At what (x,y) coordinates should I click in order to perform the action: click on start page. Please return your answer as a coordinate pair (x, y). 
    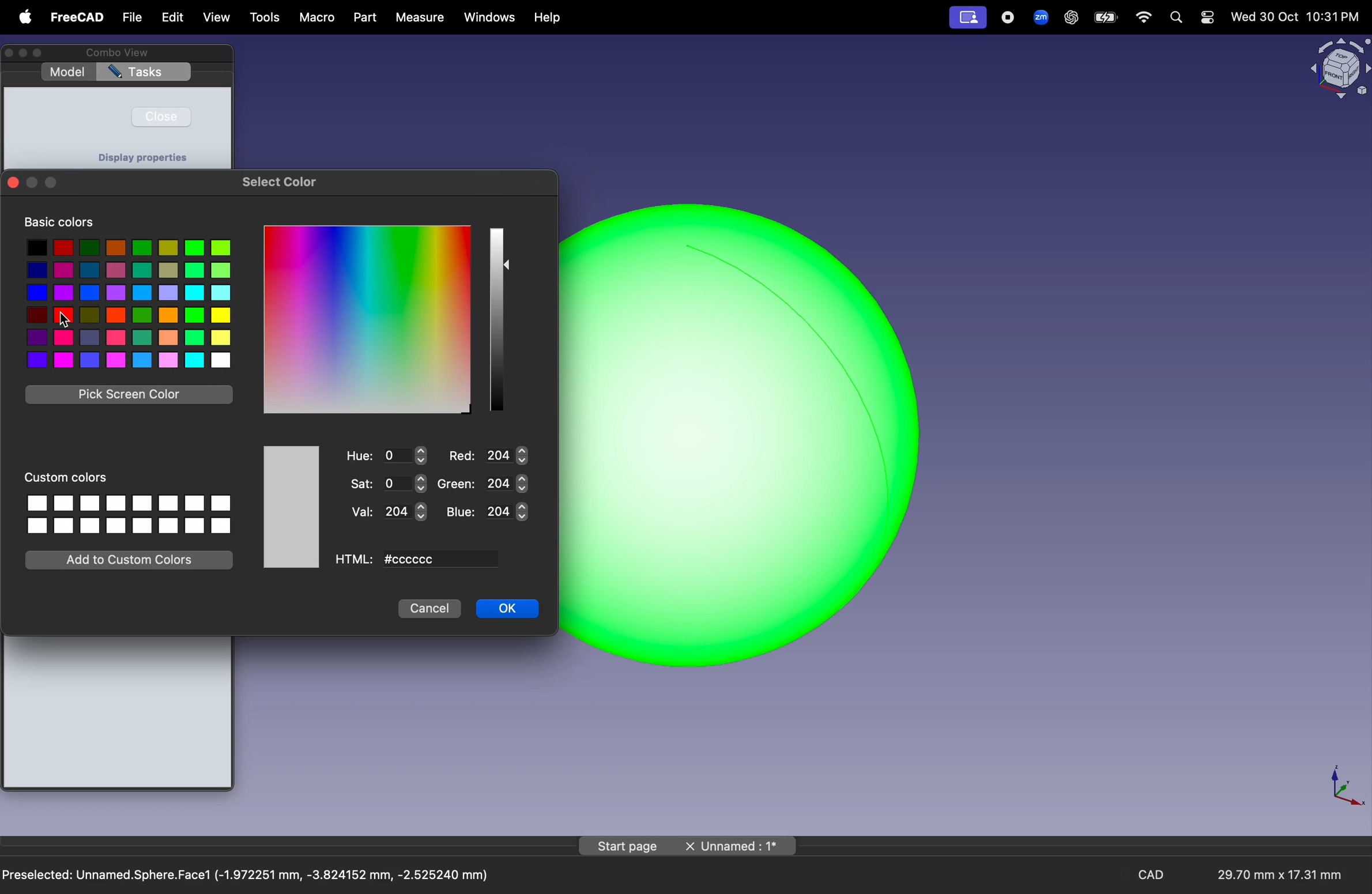
    Looking at the image, I should click on (628, 846).